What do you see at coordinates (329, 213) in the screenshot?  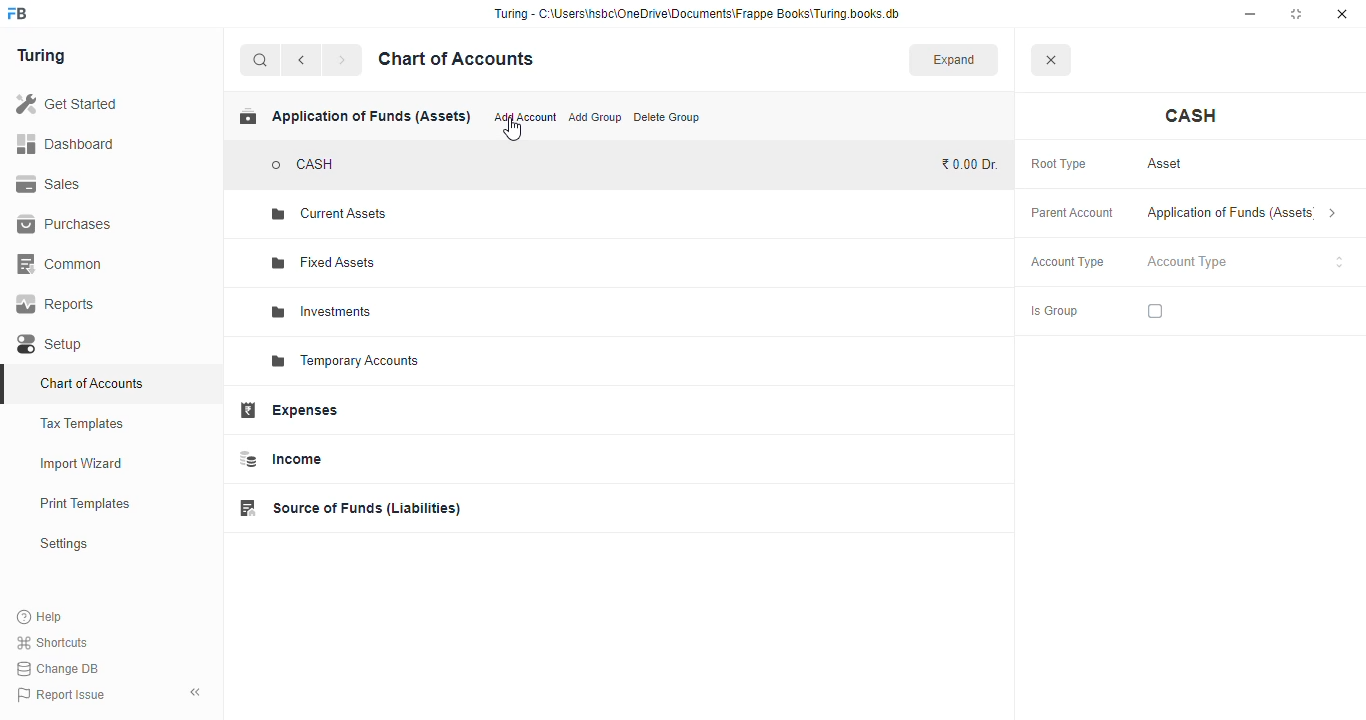 I see `current assets` at bounding box center [329, 213].